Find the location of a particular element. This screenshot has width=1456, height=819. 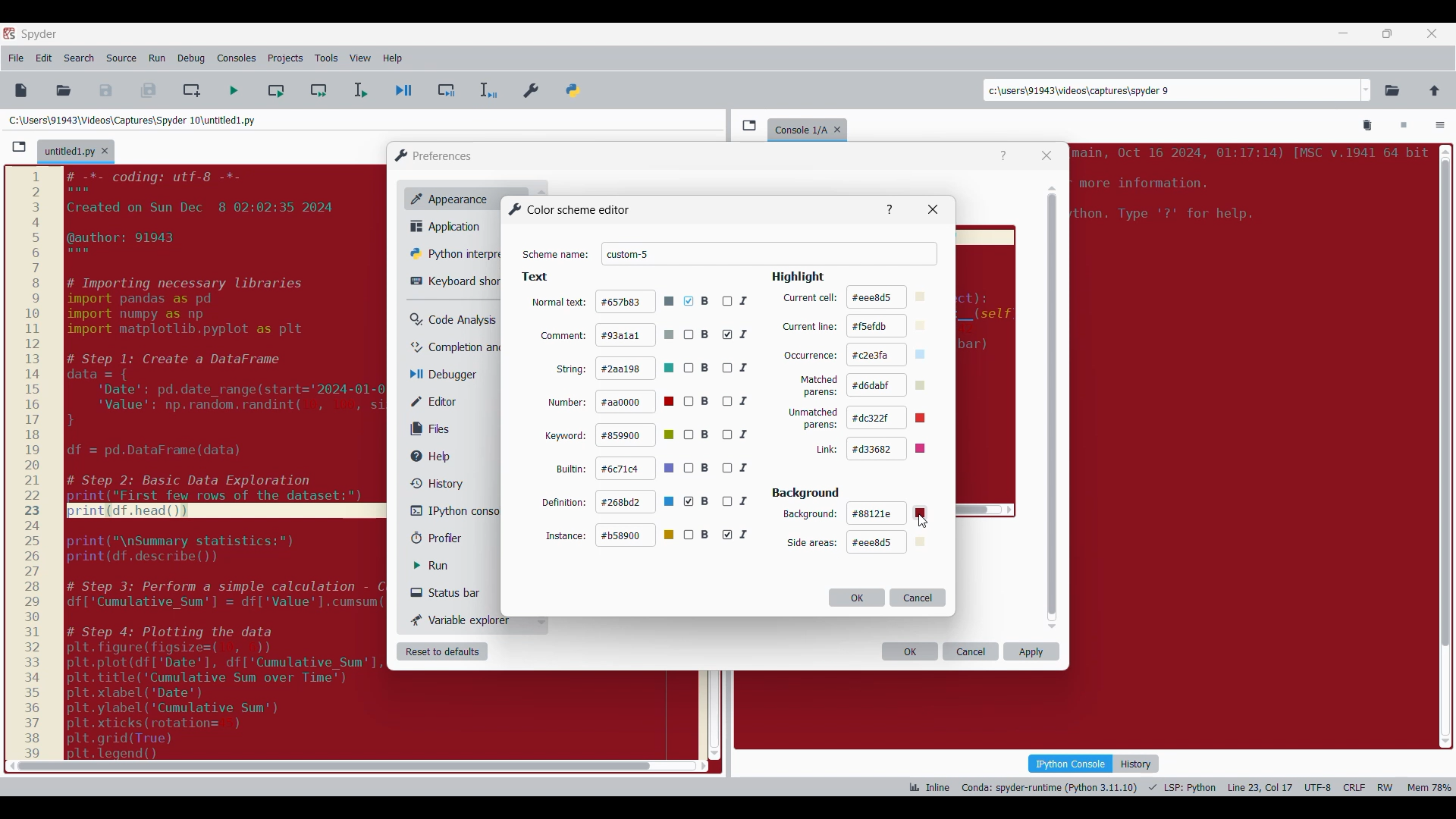

#f5efdb is located at coordinates (889, 326).